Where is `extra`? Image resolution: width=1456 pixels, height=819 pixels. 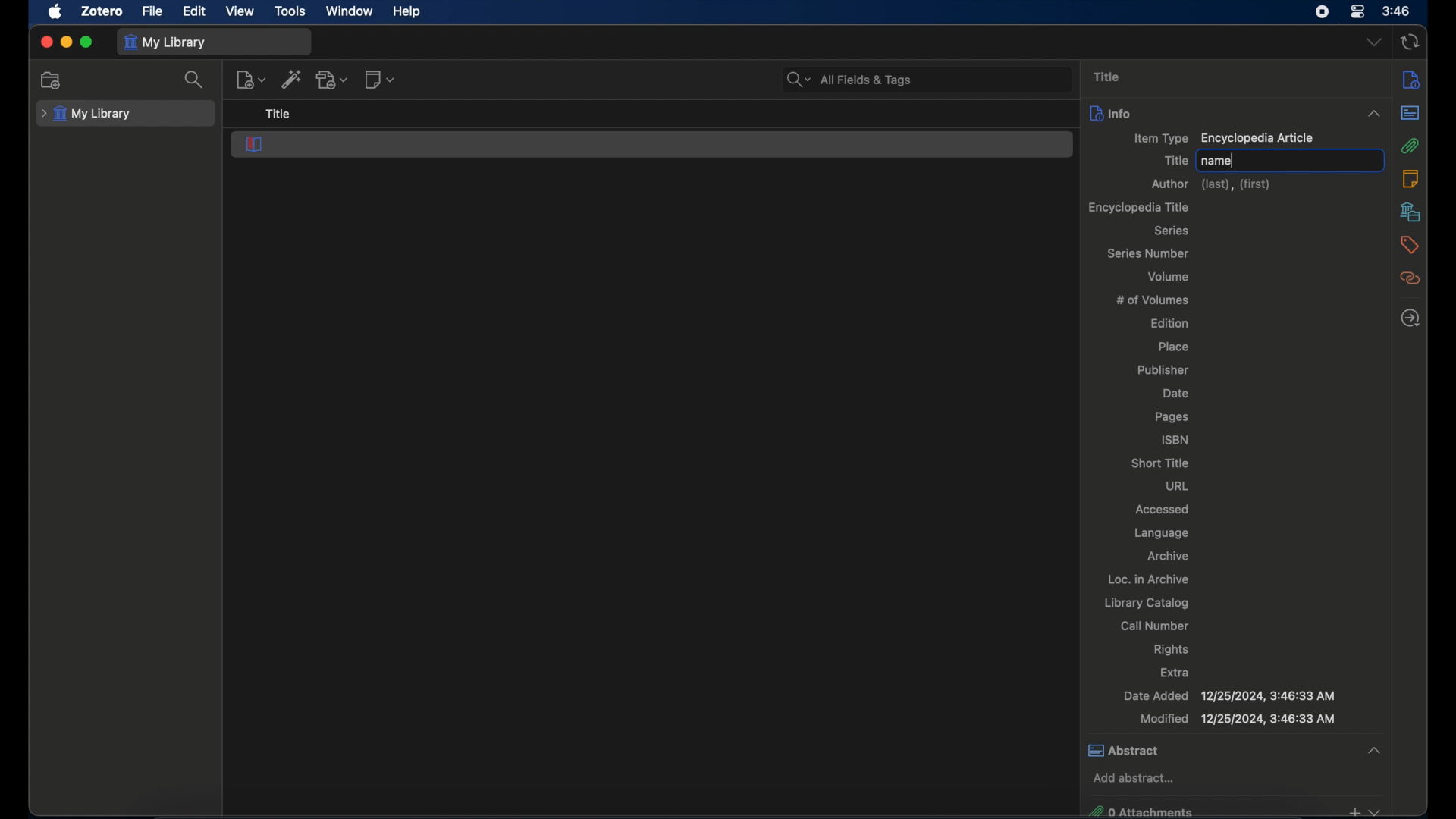
extra is located at coordinates (1175, 673).